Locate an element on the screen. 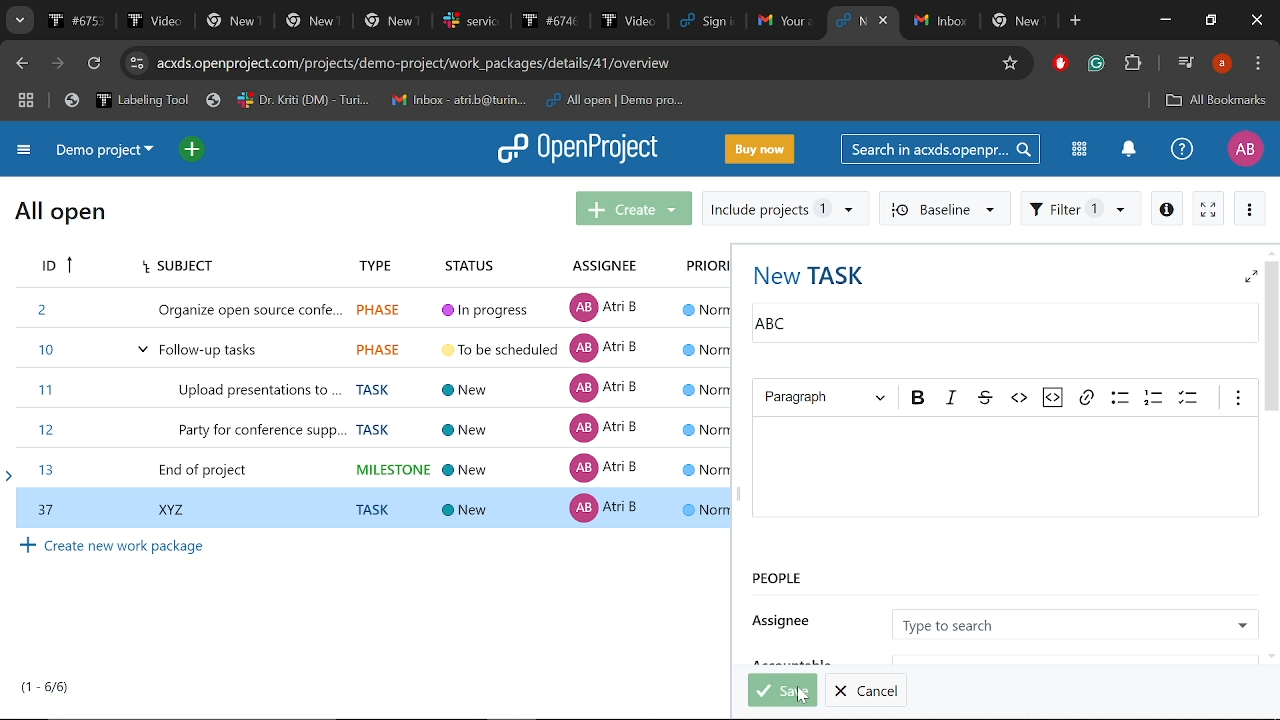 The image size is (1280, 720). Previous page is located at coordinates (19, 64).